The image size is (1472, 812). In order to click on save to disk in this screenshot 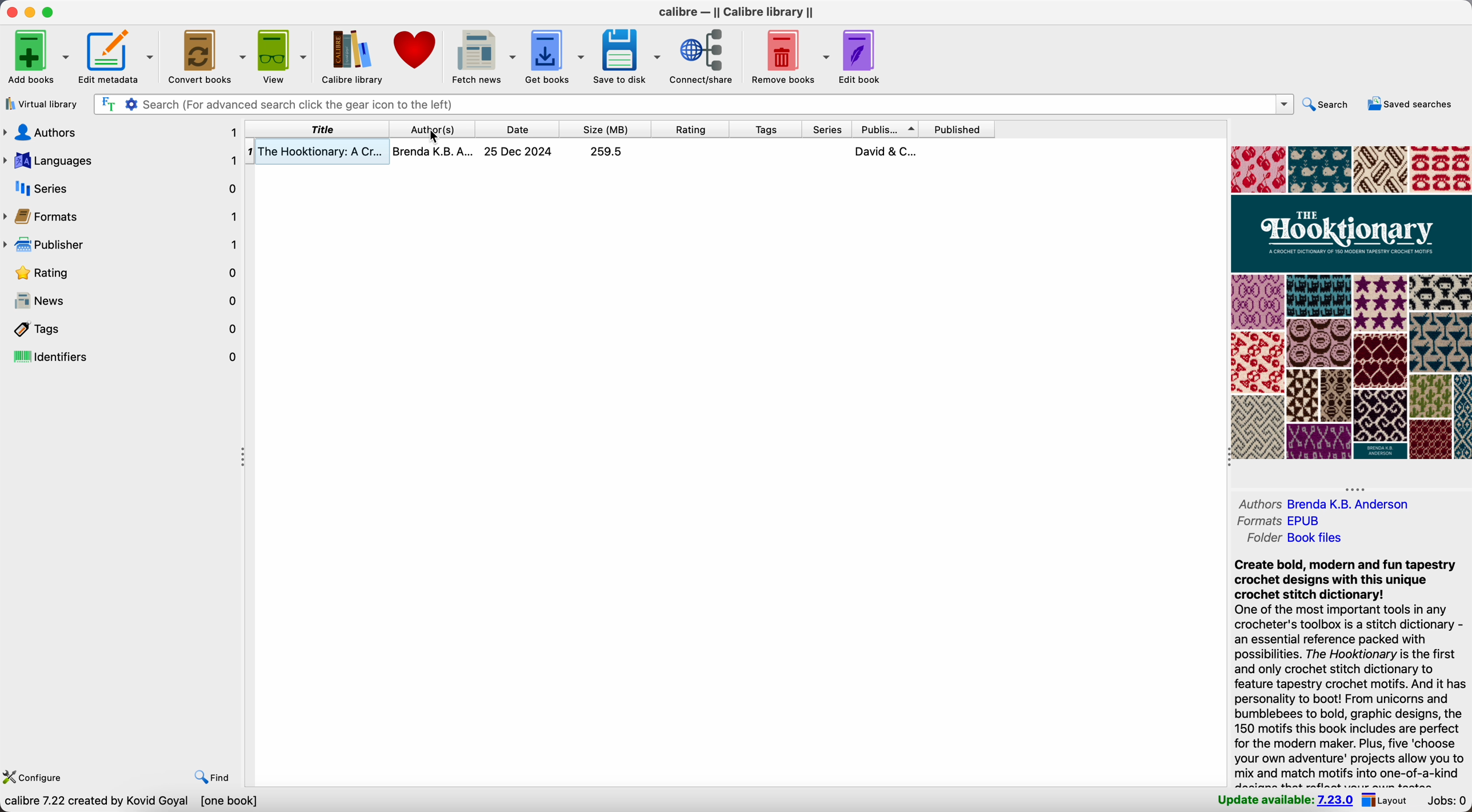, I will do `click(627, 54)`.